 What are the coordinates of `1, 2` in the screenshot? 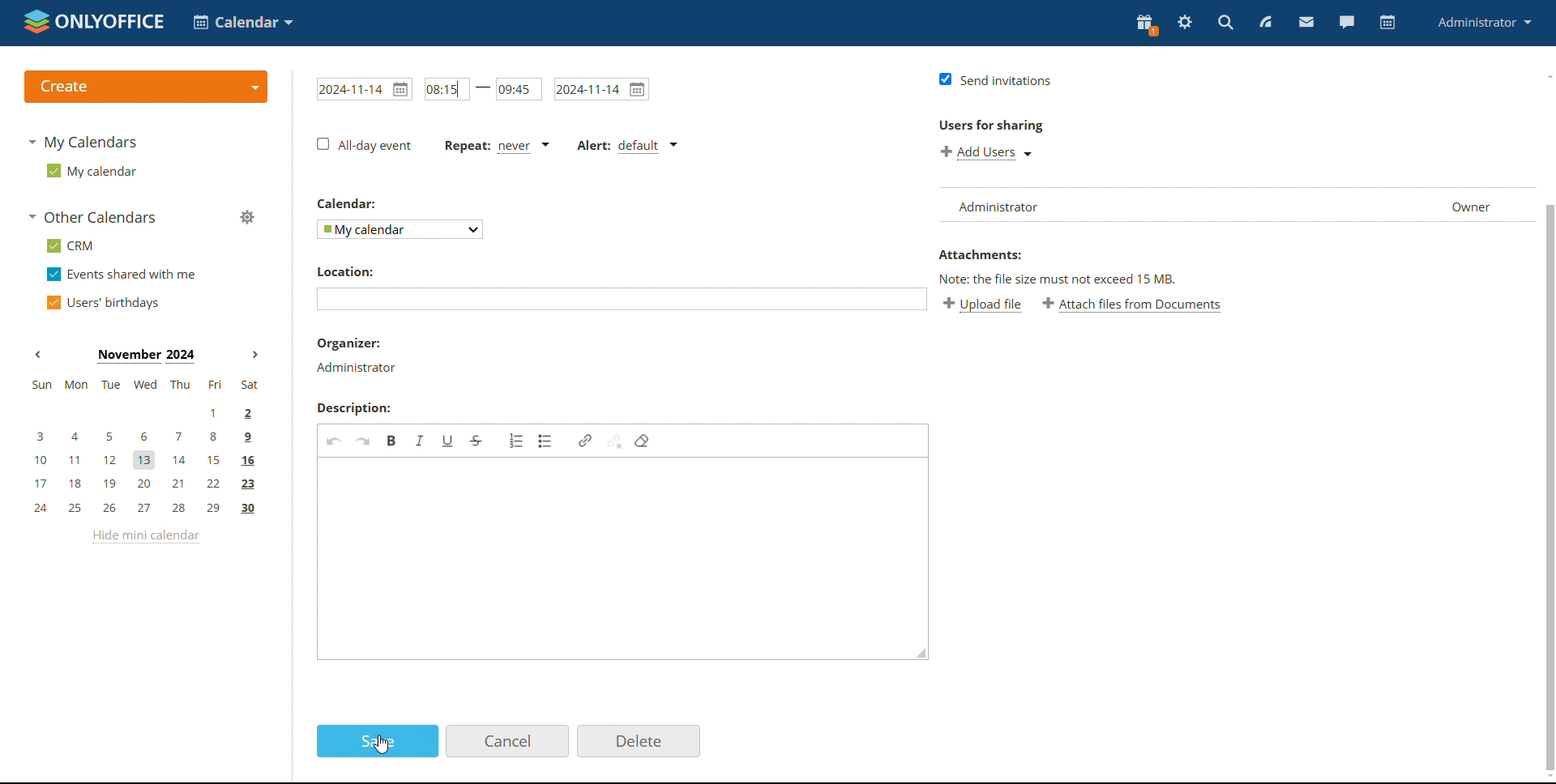 It's located at (144, 411).